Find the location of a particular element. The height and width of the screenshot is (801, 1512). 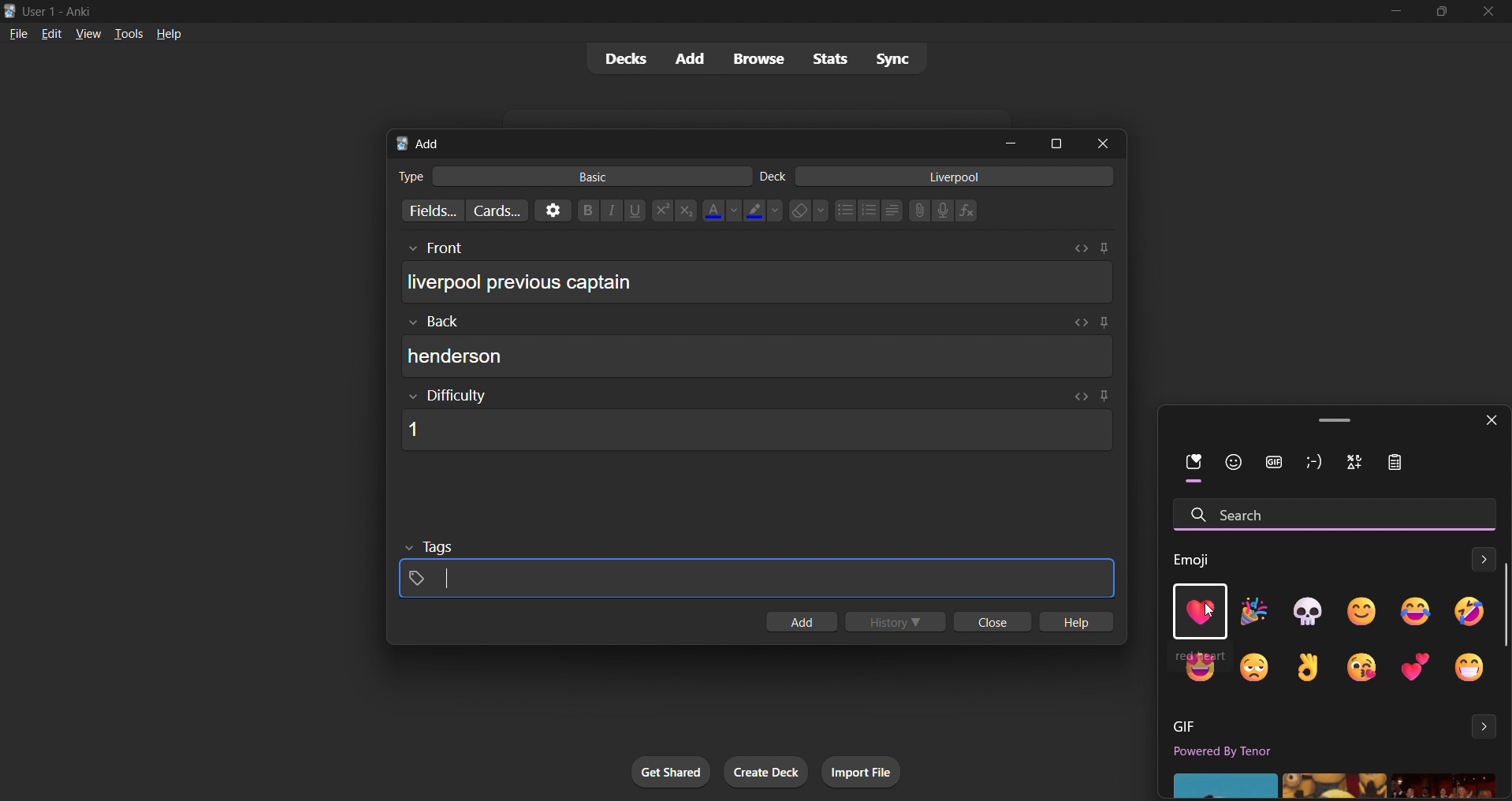

icon is located at coordinates (1314, 463).